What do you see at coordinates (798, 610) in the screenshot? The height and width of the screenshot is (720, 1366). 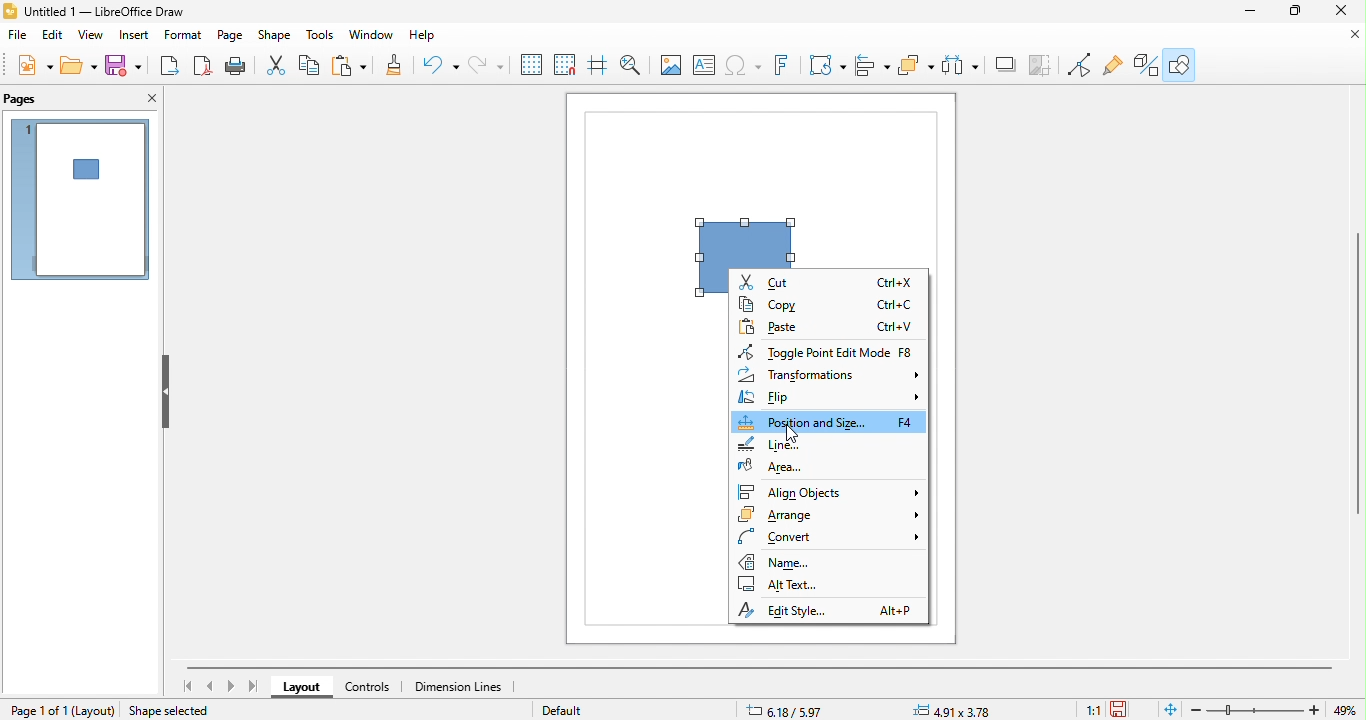 I see `edit style` at bounding box center [798, 610].